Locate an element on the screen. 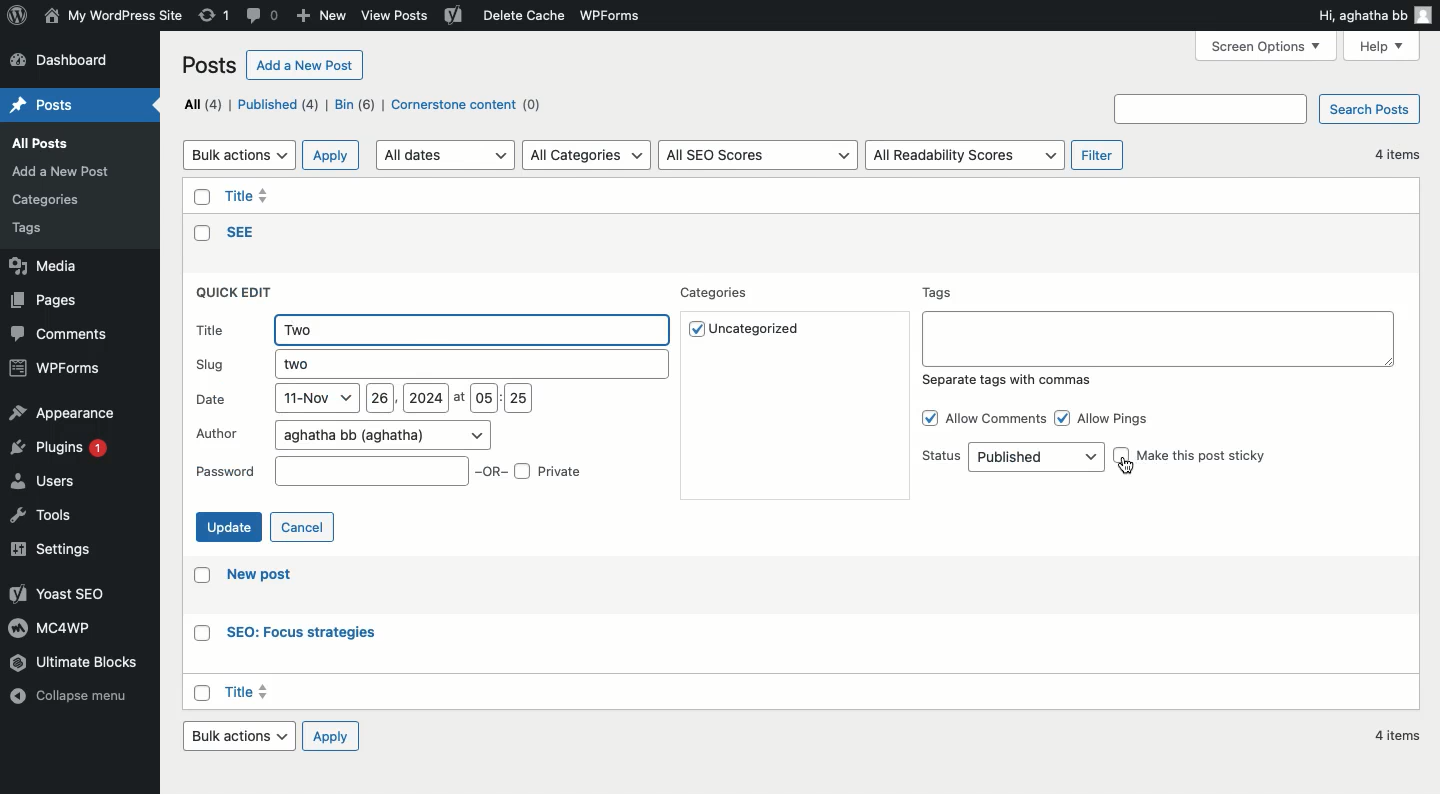 This screenshot has width=1440, height=794. Tags is located at coordinates (1157, 325).